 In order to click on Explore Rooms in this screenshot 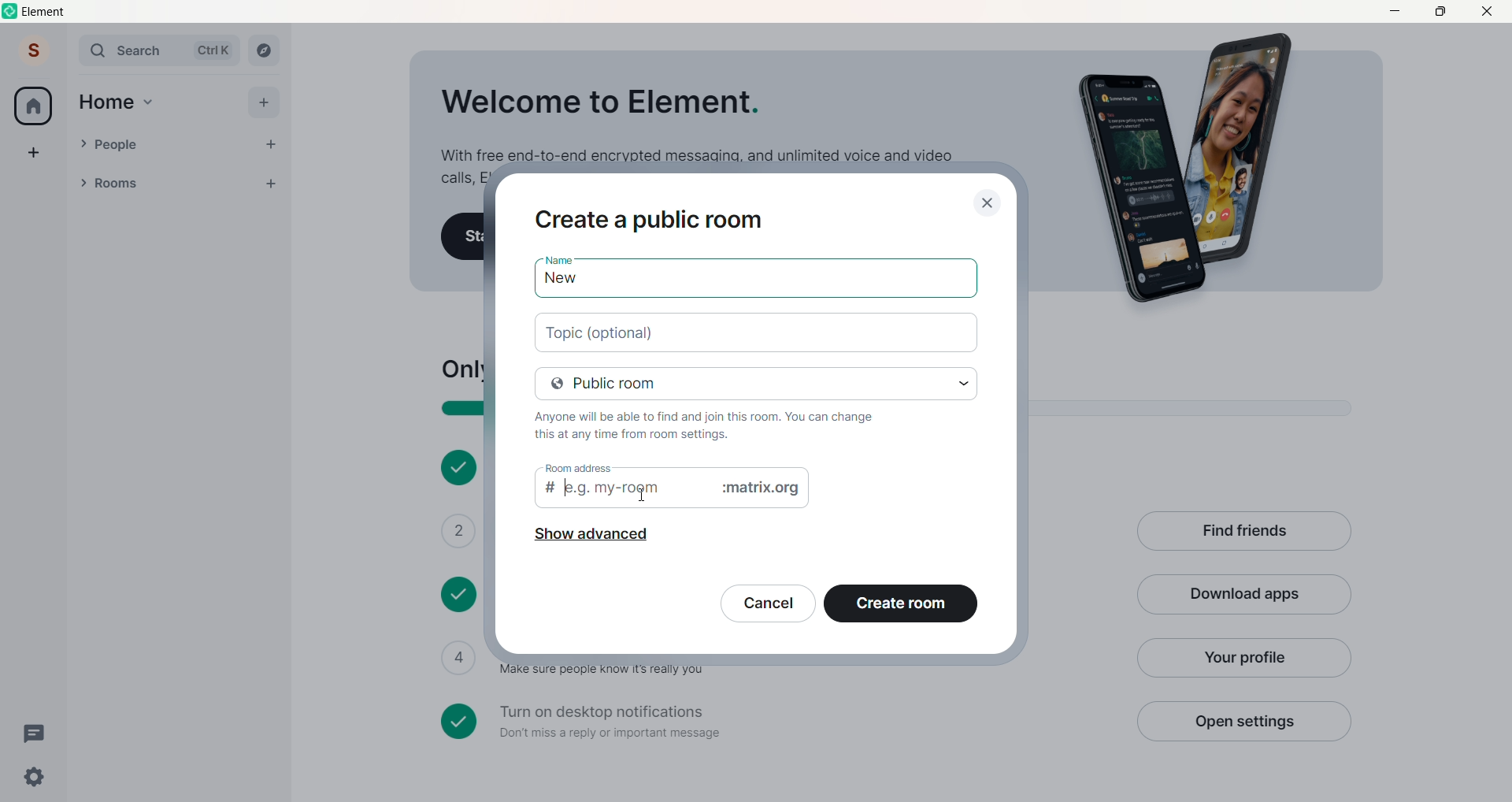, I will do `click(265, 50)`.